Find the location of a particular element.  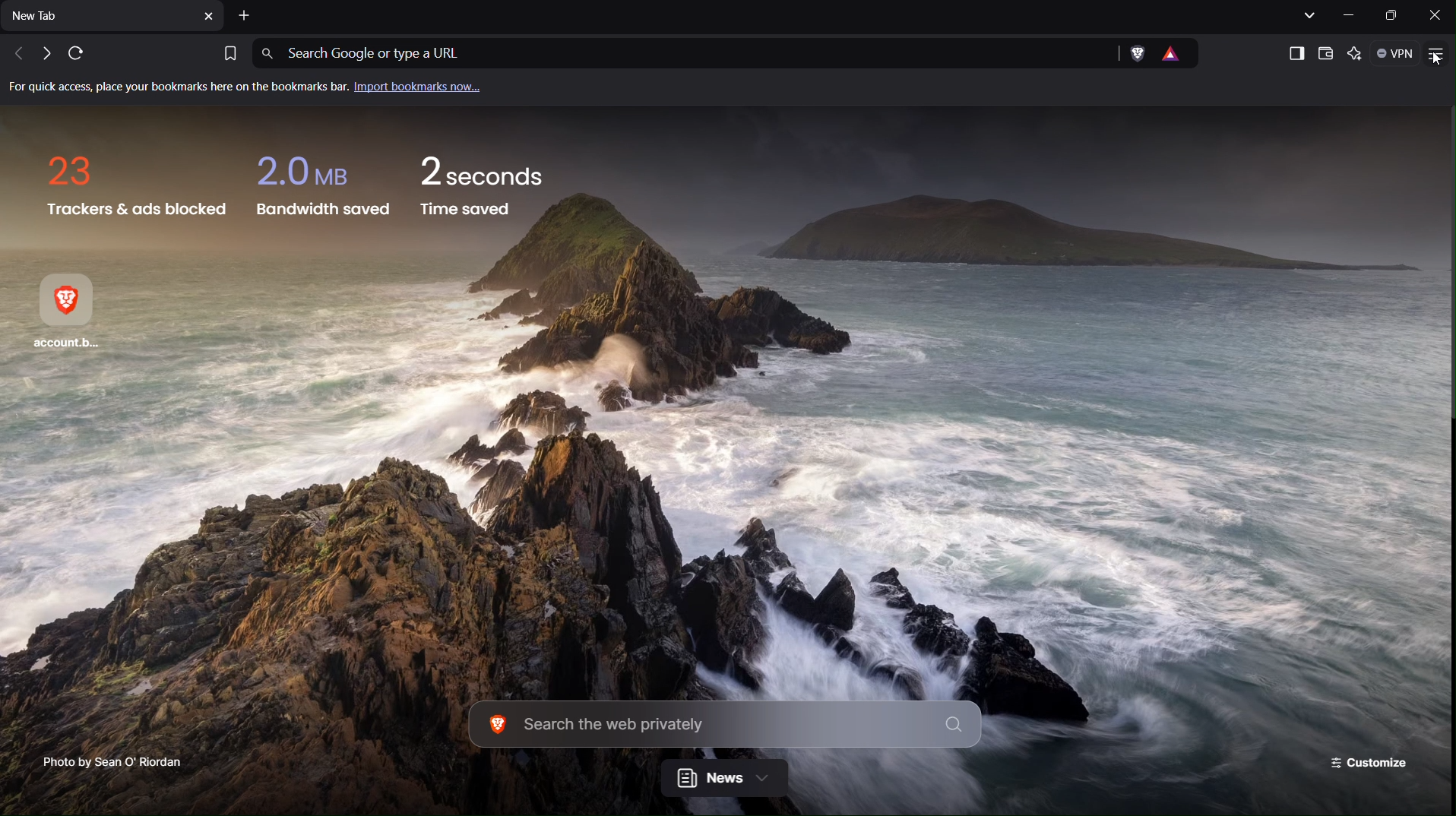

VPN is located at coordinates (1397, 54).